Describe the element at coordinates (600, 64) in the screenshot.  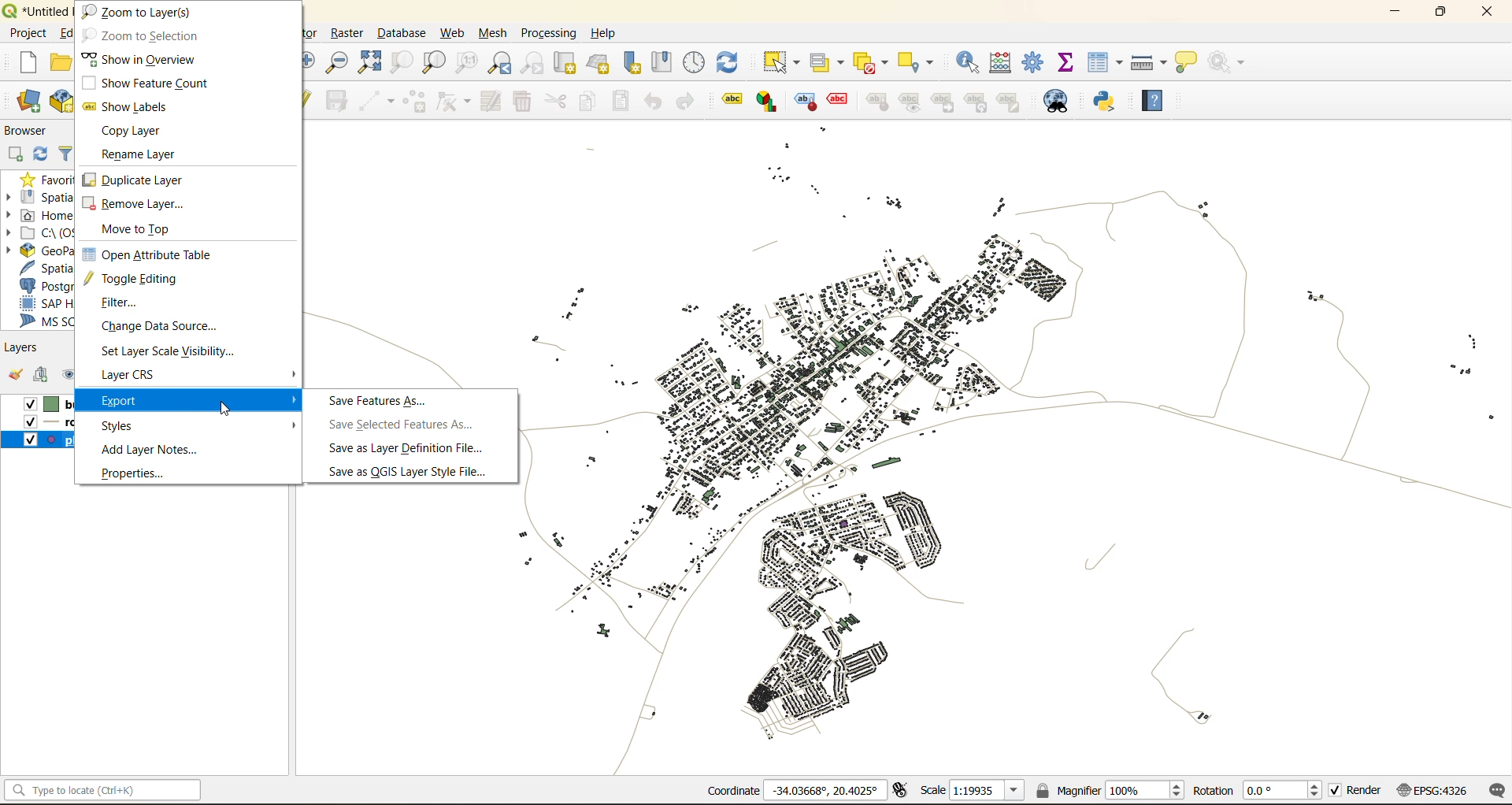
I see `new 3d map view` at that location.